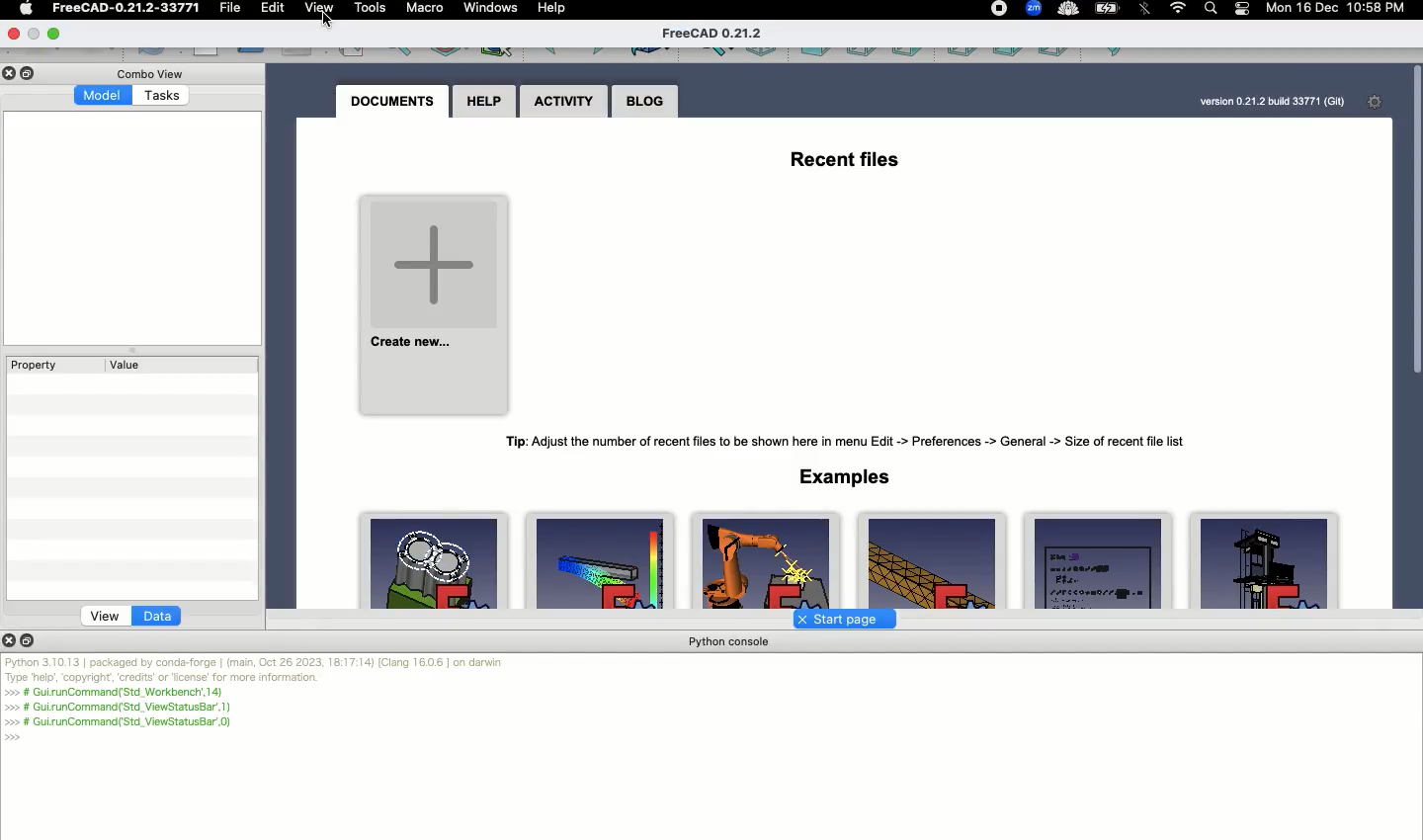 The width and height of the screenshot is (1423, 840). Describe the element at coordinates (11, 639) in the screenshot. I see `Close` at that location.